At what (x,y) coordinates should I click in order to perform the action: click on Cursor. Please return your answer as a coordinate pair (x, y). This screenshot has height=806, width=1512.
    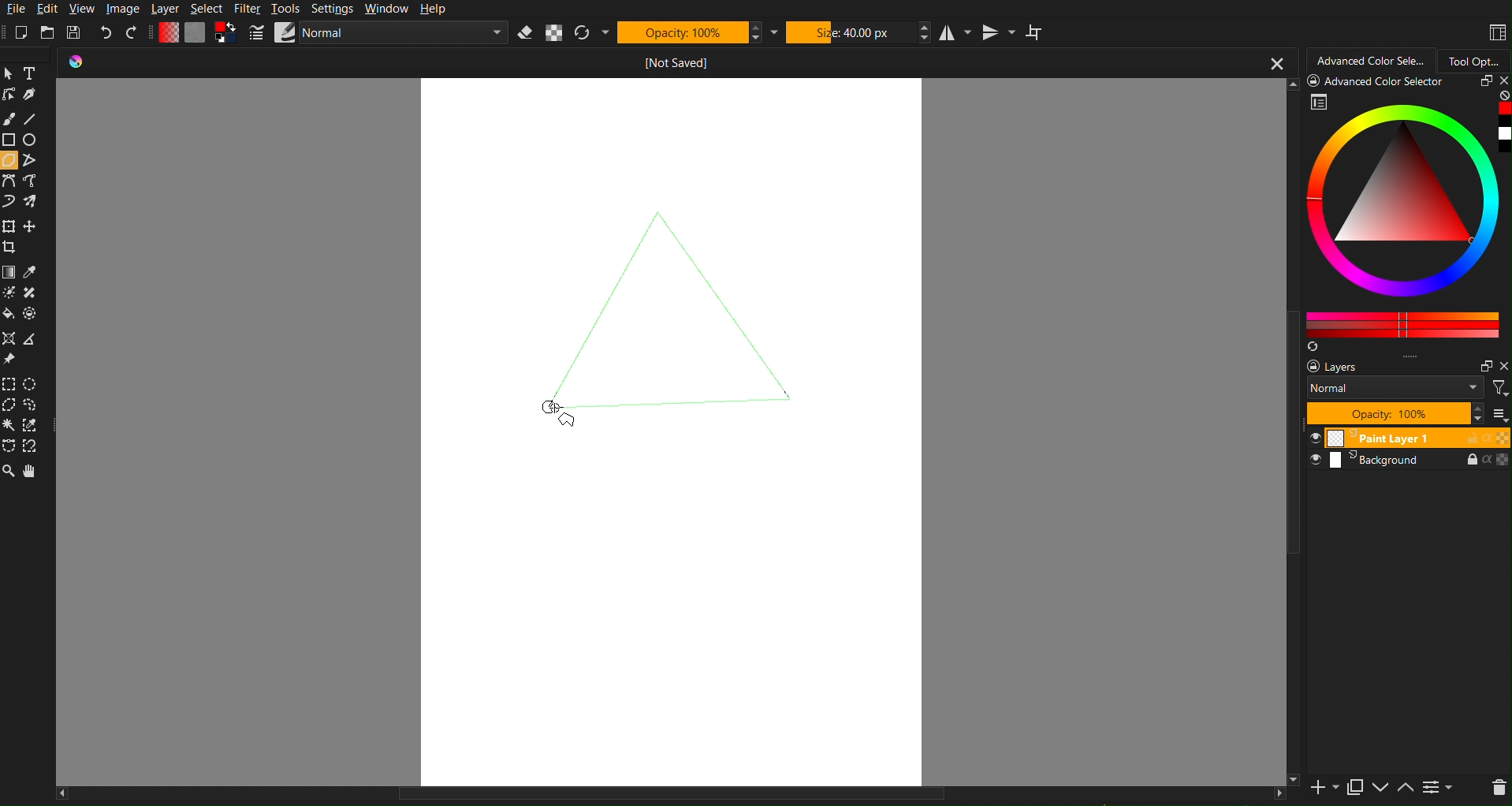
    Looking at the image, I should click on (553, 406).